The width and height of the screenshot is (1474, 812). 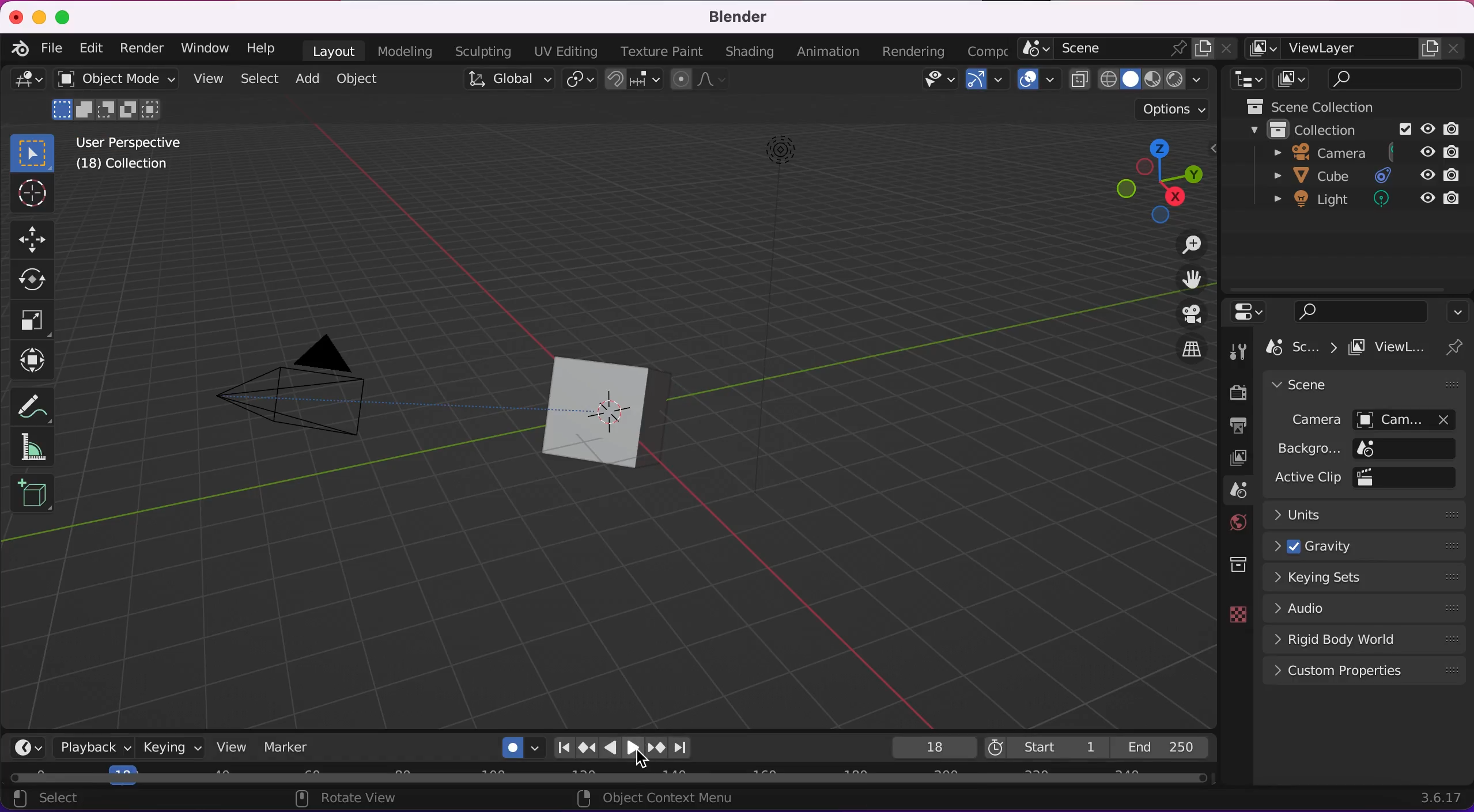 What do you see at coordinates (699, 82) in the screenshot?
I see `proportional editing objects` at bounding box center [699, 82].